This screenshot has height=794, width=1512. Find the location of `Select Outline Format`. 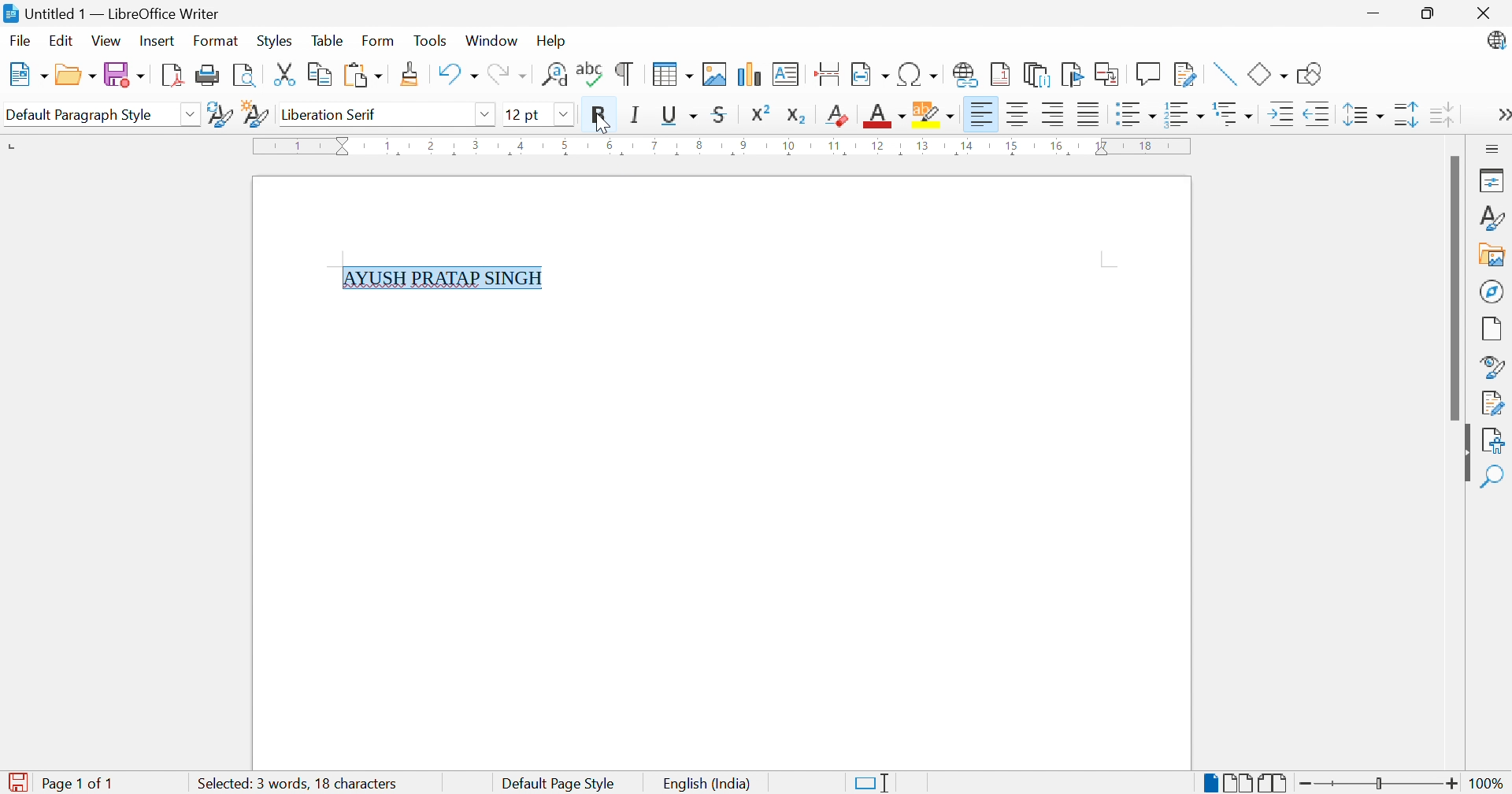

Select Outline Format is located at coordinates (1235, 114).